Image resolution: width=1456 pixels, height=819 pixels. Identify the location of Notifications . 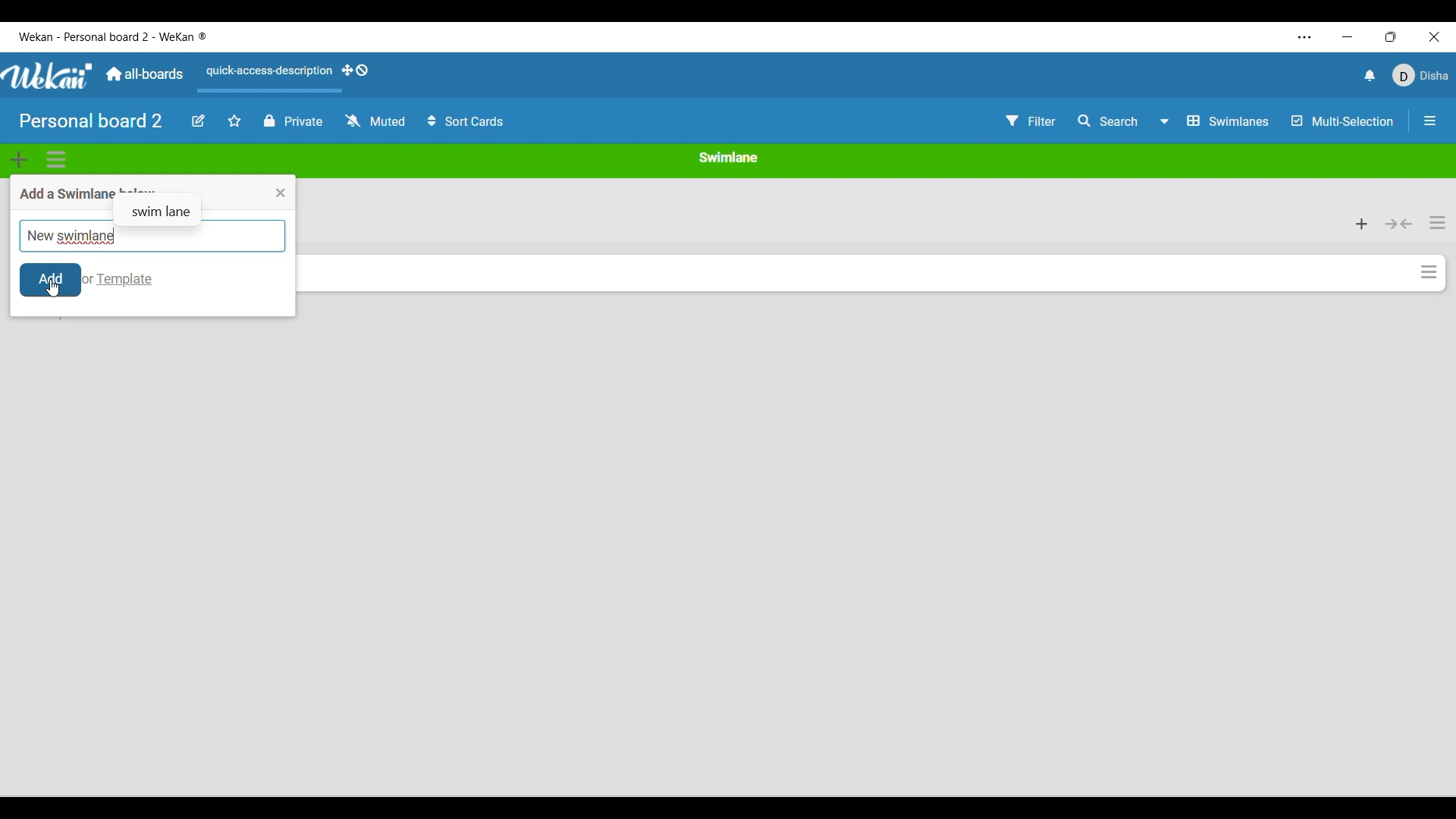
(1370, 75).